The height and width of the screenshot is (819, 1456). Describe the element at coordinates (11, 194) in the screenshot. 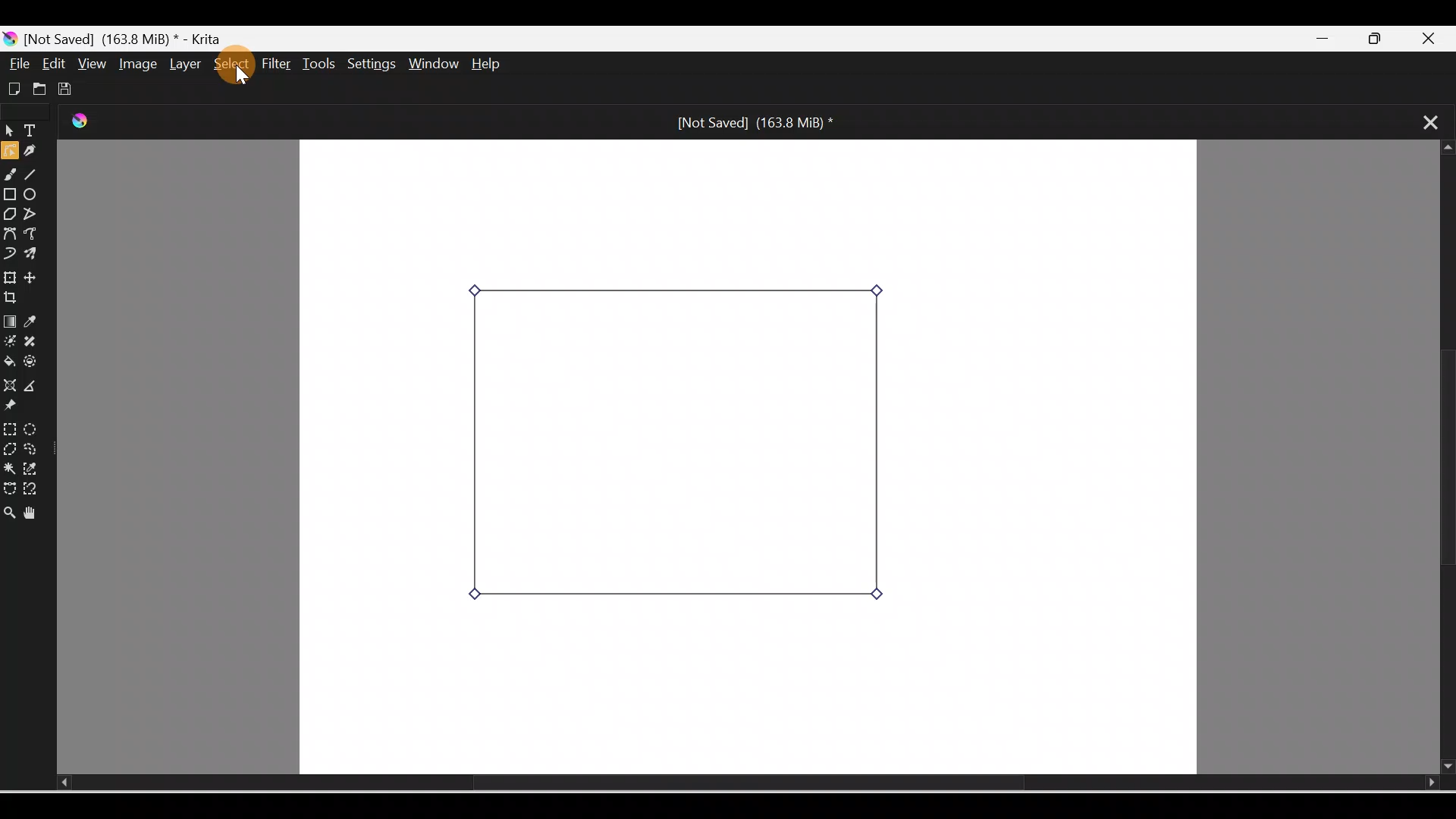

I see `Rectangle` at that location.